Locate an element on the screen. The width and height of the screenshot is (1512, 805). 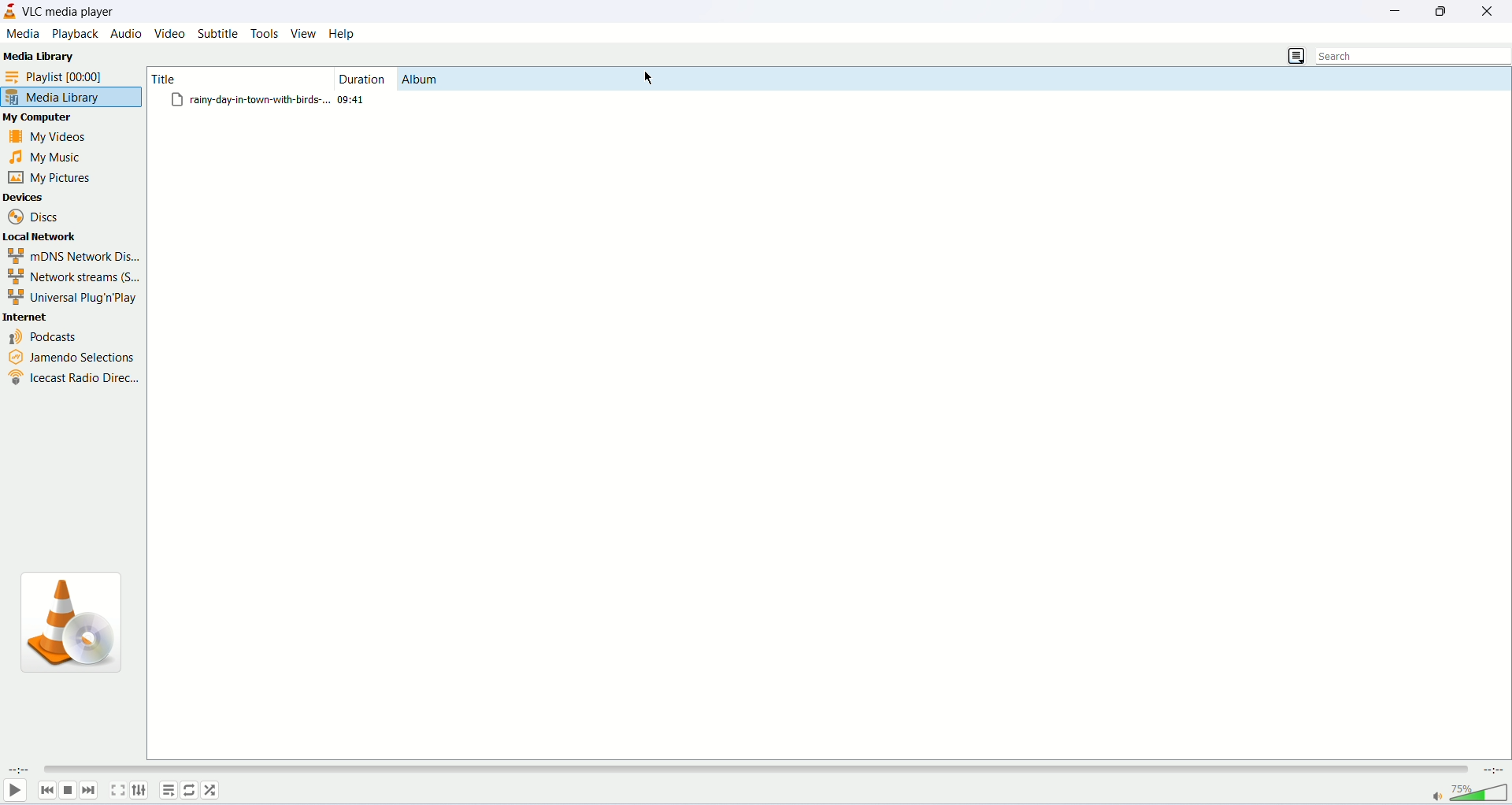
mDNS network is located at coordinates (69, 255).